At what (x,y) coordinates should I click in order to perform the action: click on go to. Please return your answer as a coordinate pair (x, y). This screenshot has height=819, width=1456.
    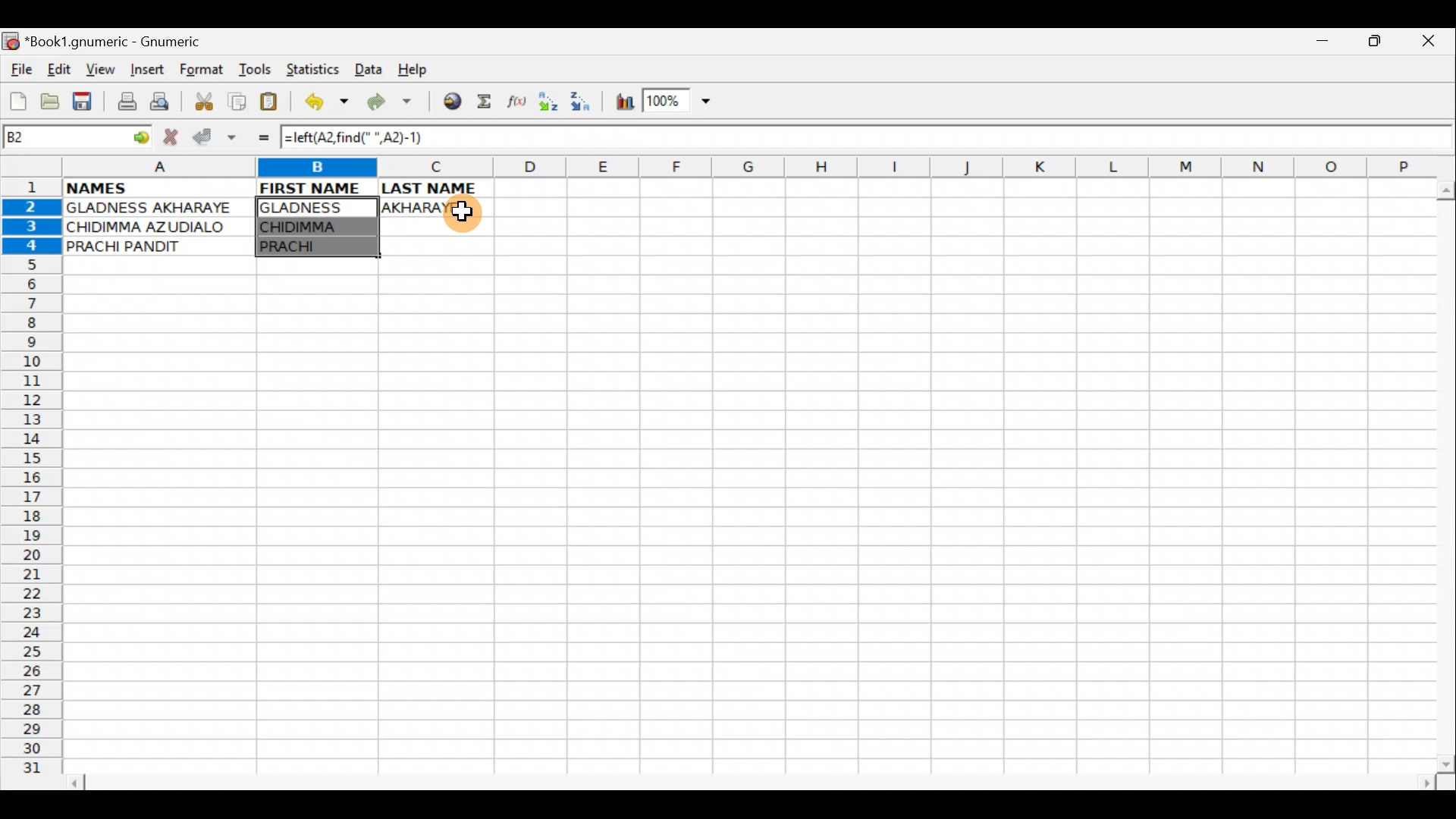
    Looking at the image, I should click on (140, 135).